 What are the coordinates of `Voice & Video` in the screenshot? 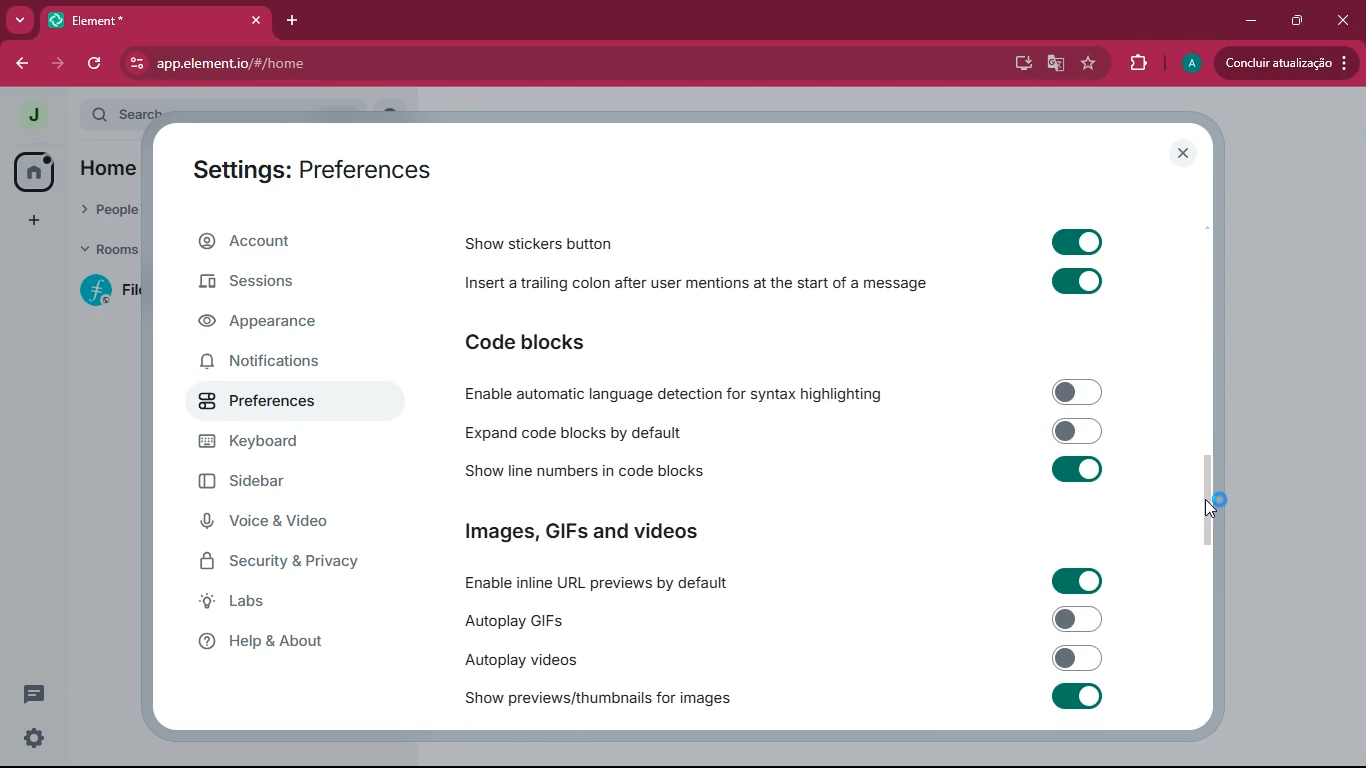 It's located at (274, 524).